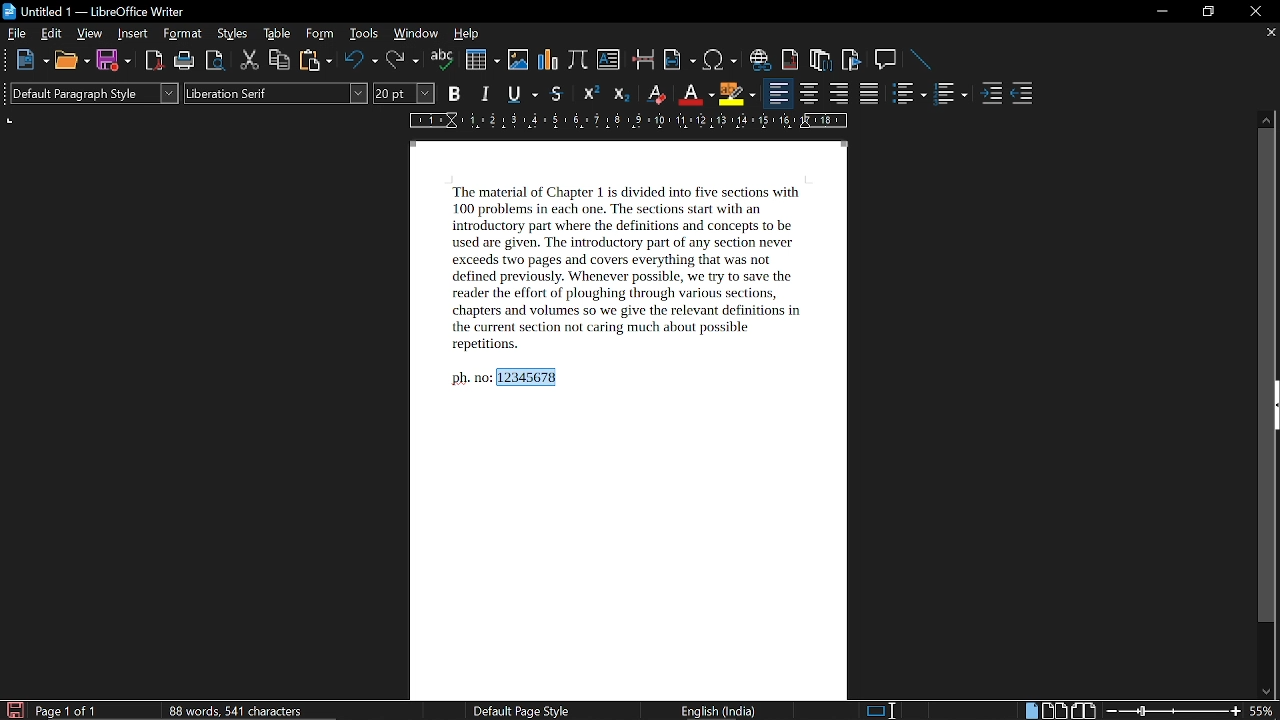  Describe the element at coordinates (1270, 33) in the screenshot. I see `close current tab` at that location.